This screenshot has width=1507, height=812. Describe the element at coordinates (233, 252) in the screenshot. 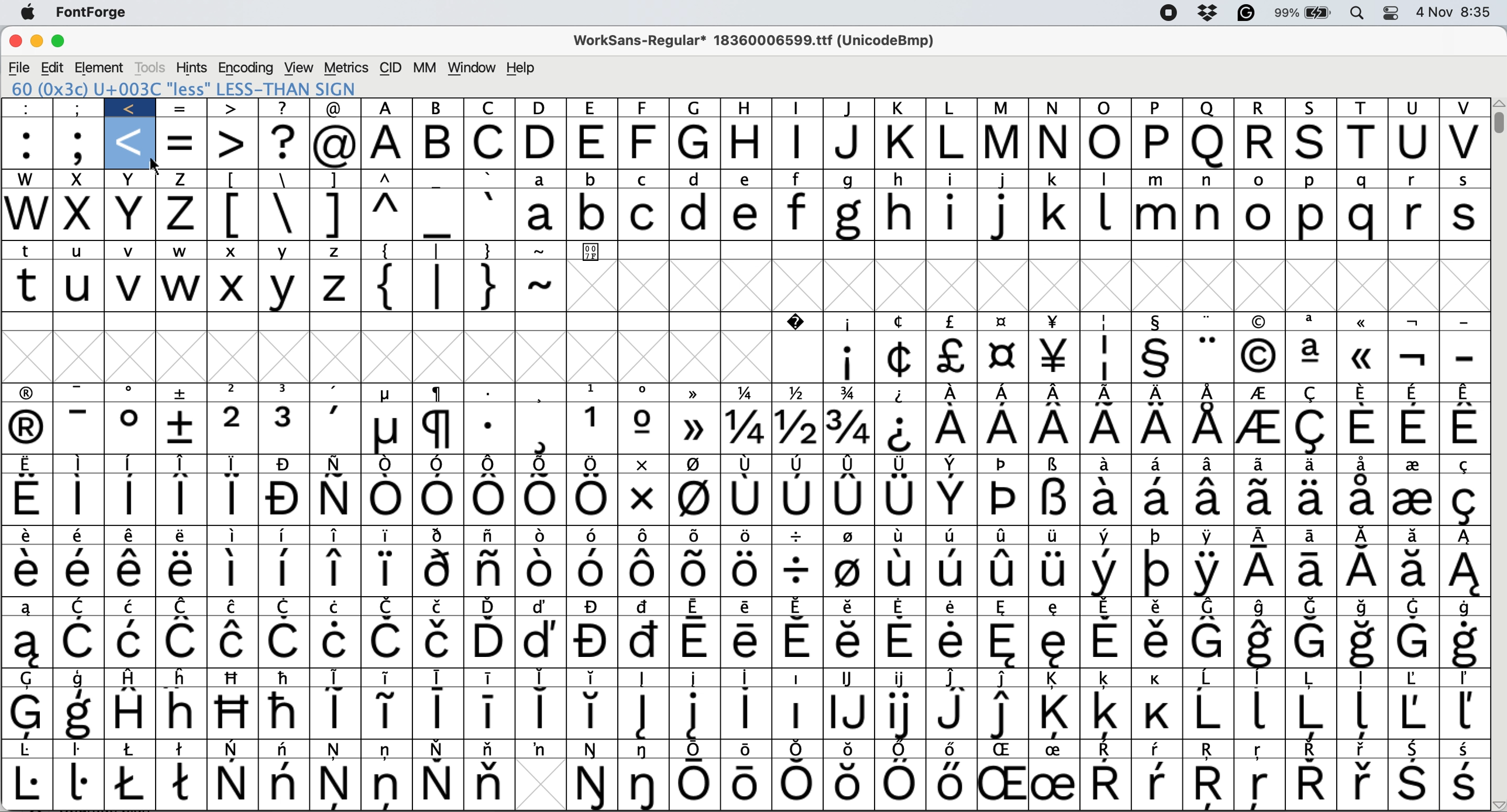

I see `x` at that location.